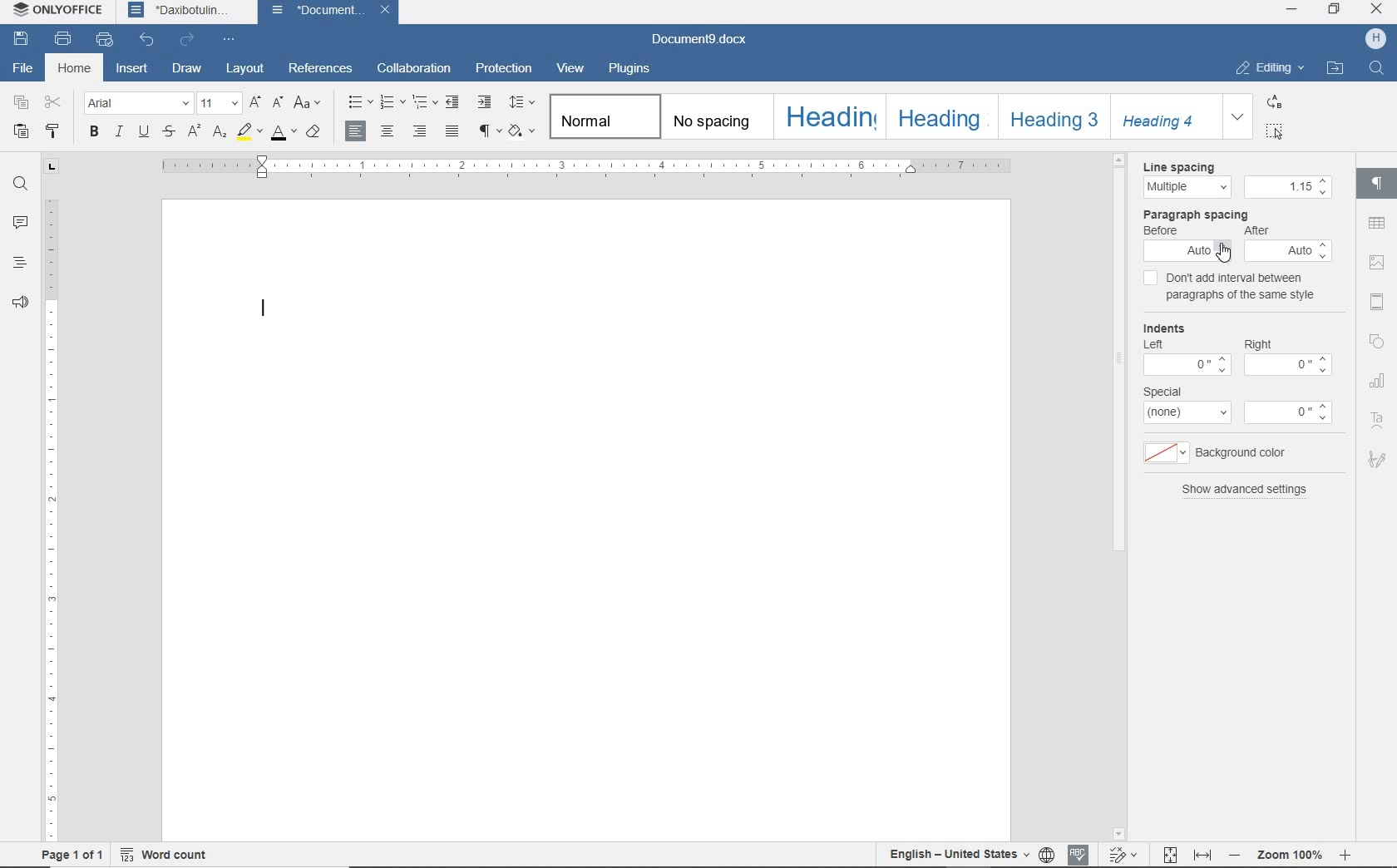 Image resolution: width=1397 pixels, height=868 pixels. I want to click on REPLACE, so click(1275, 102).